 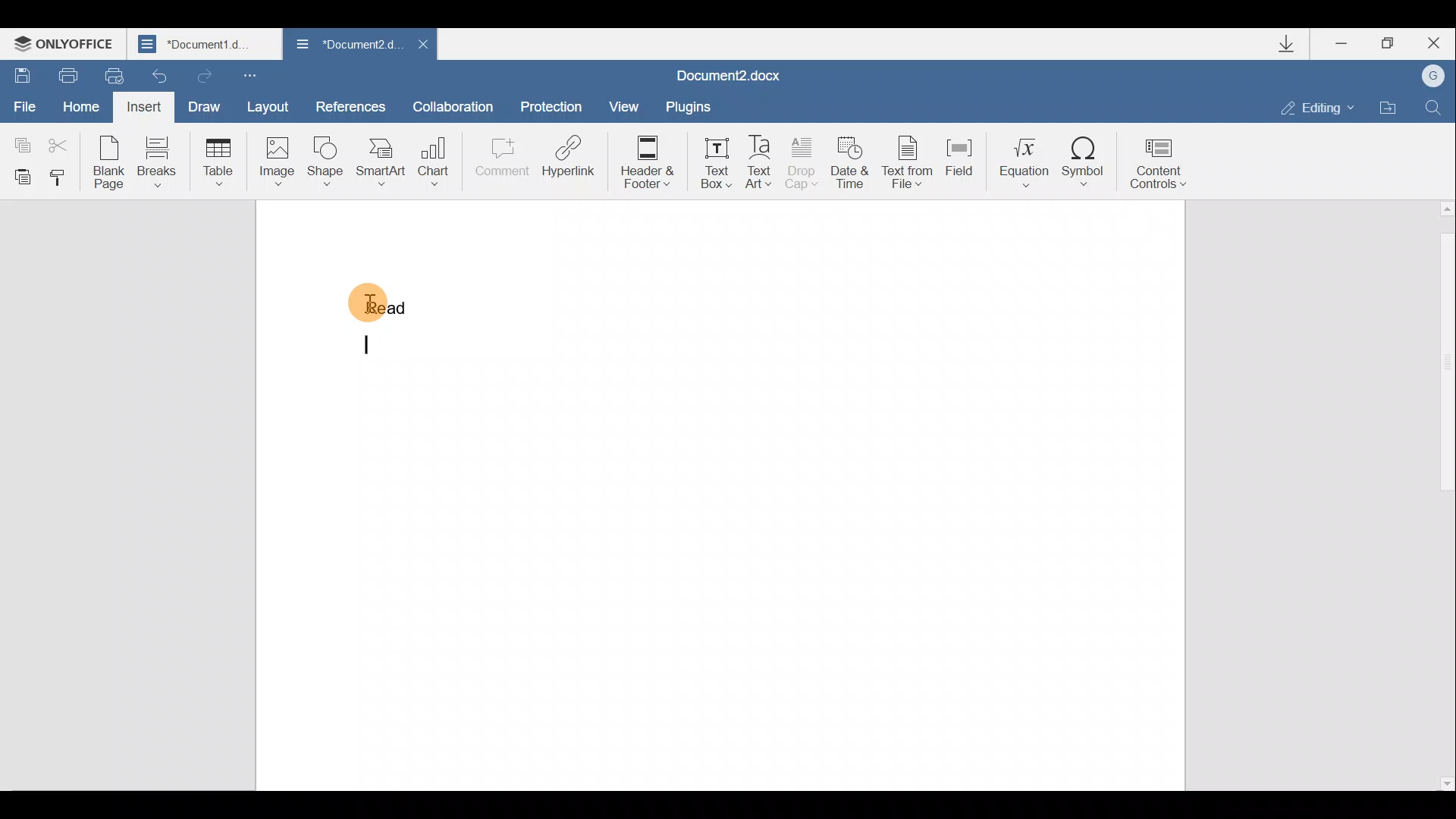 I want to click on Header & footer, so click(x=652, y=162).